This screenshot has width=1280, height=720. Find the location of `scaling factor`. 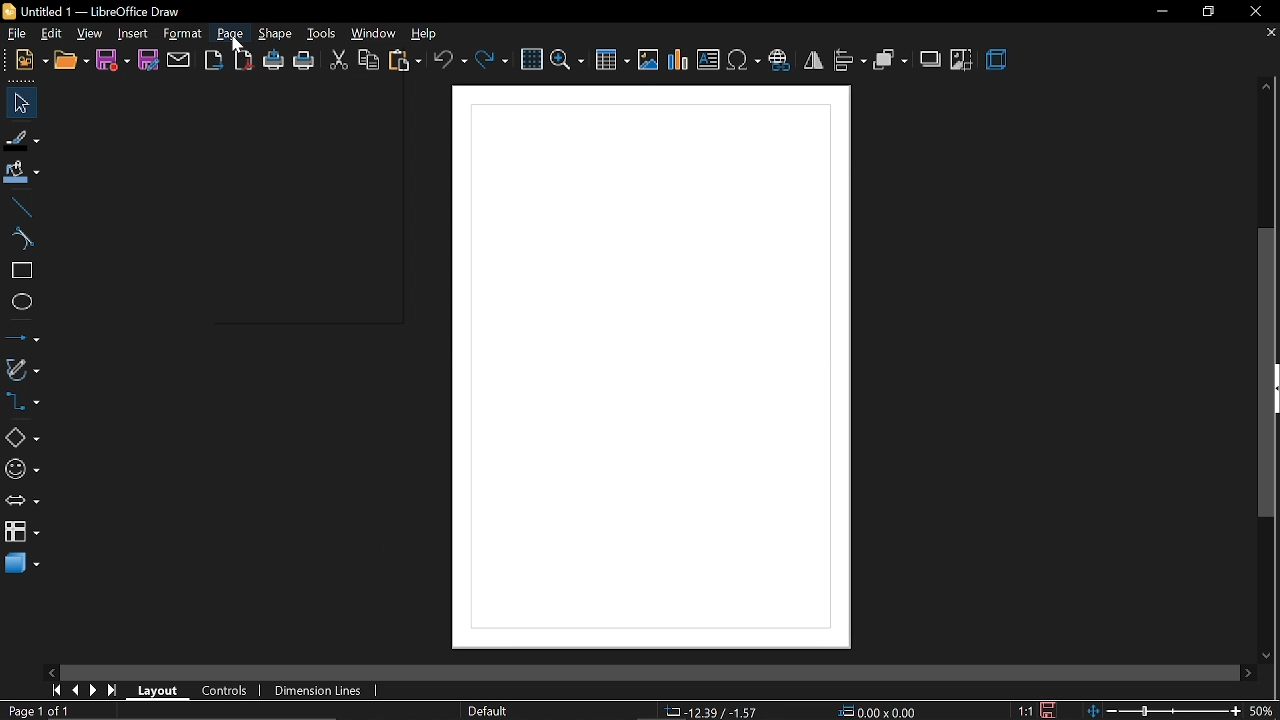

scaling factor is located at coordinates (1025, 711).